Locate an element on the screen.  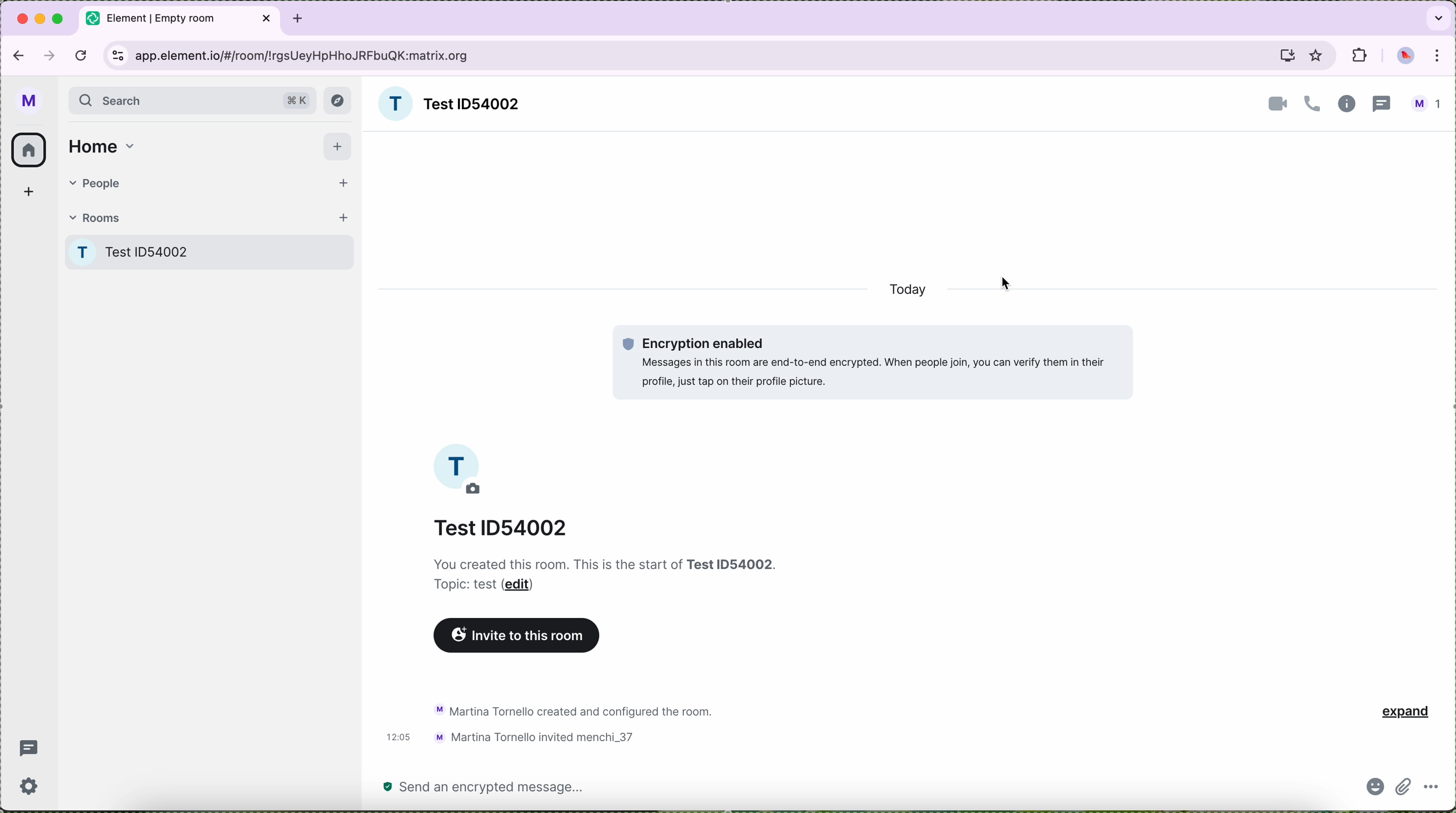
favorites is located at coordinates (1316, 55).